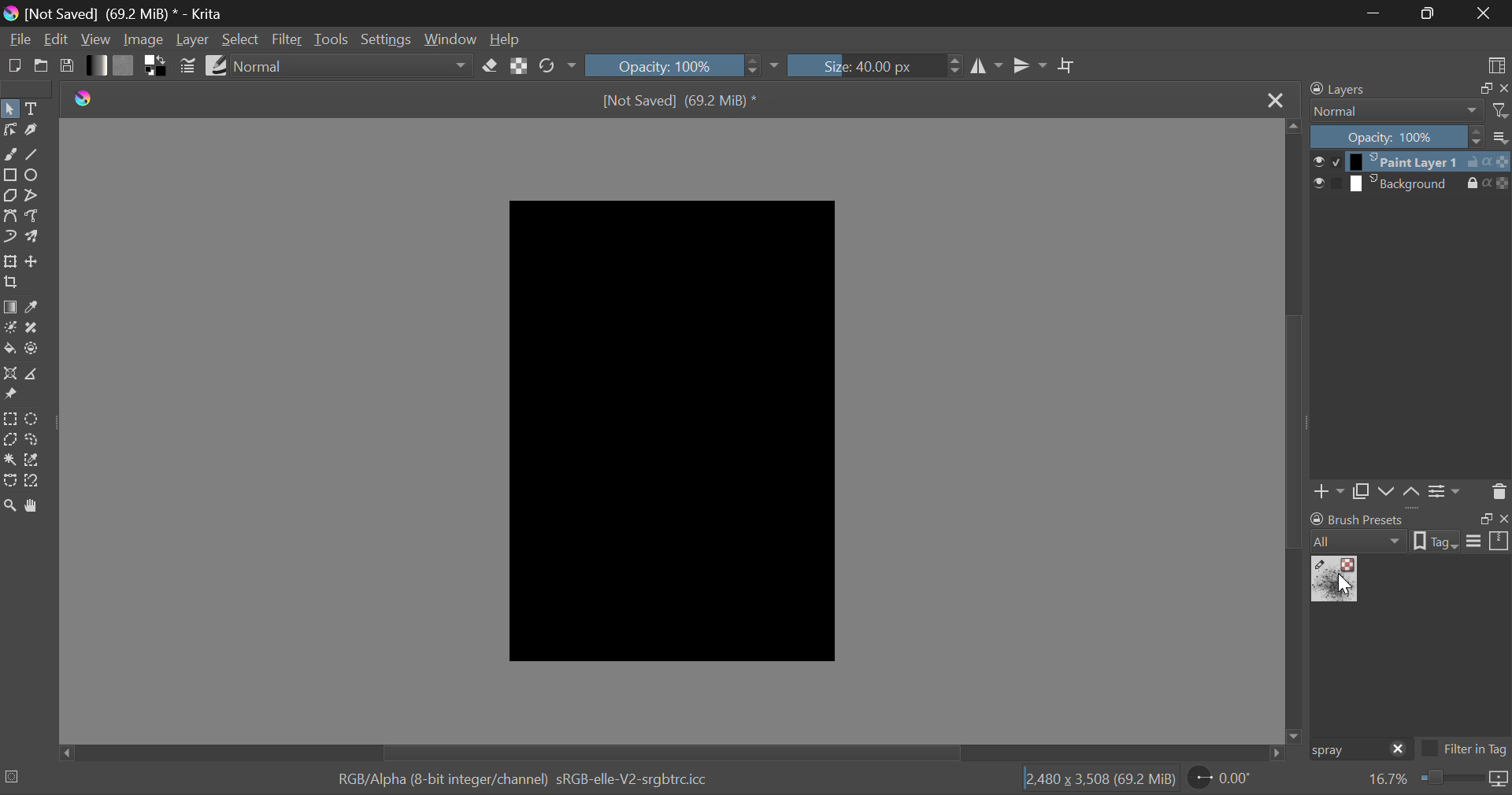 The image size is (1512, 795). Describe the element at coordinates (157, 66) in the screenshot. I see `Colors in Use` at that location.